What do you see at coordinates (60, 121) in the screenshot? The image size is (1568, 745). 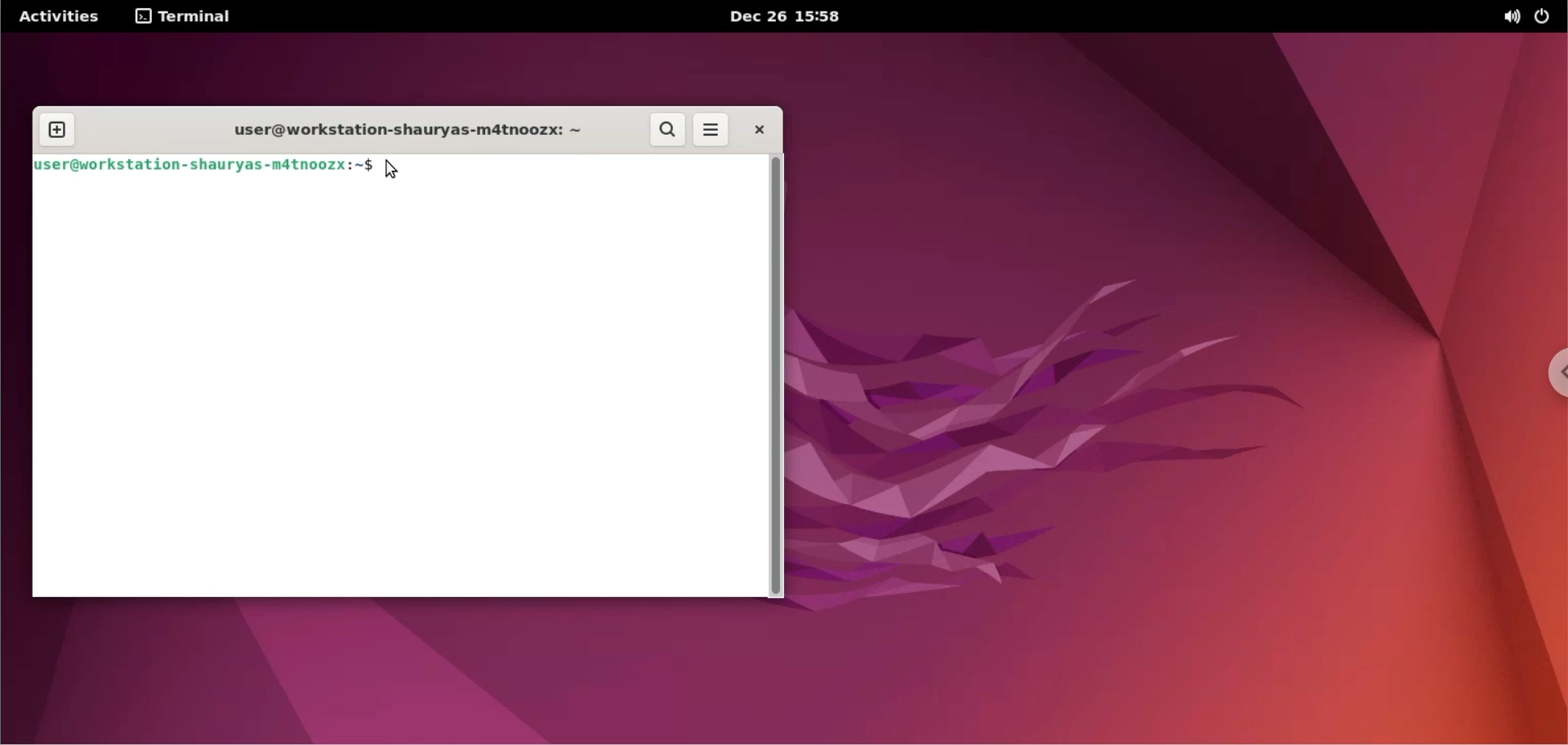 I see `new terminal tab` at bounding box center [60, 121].